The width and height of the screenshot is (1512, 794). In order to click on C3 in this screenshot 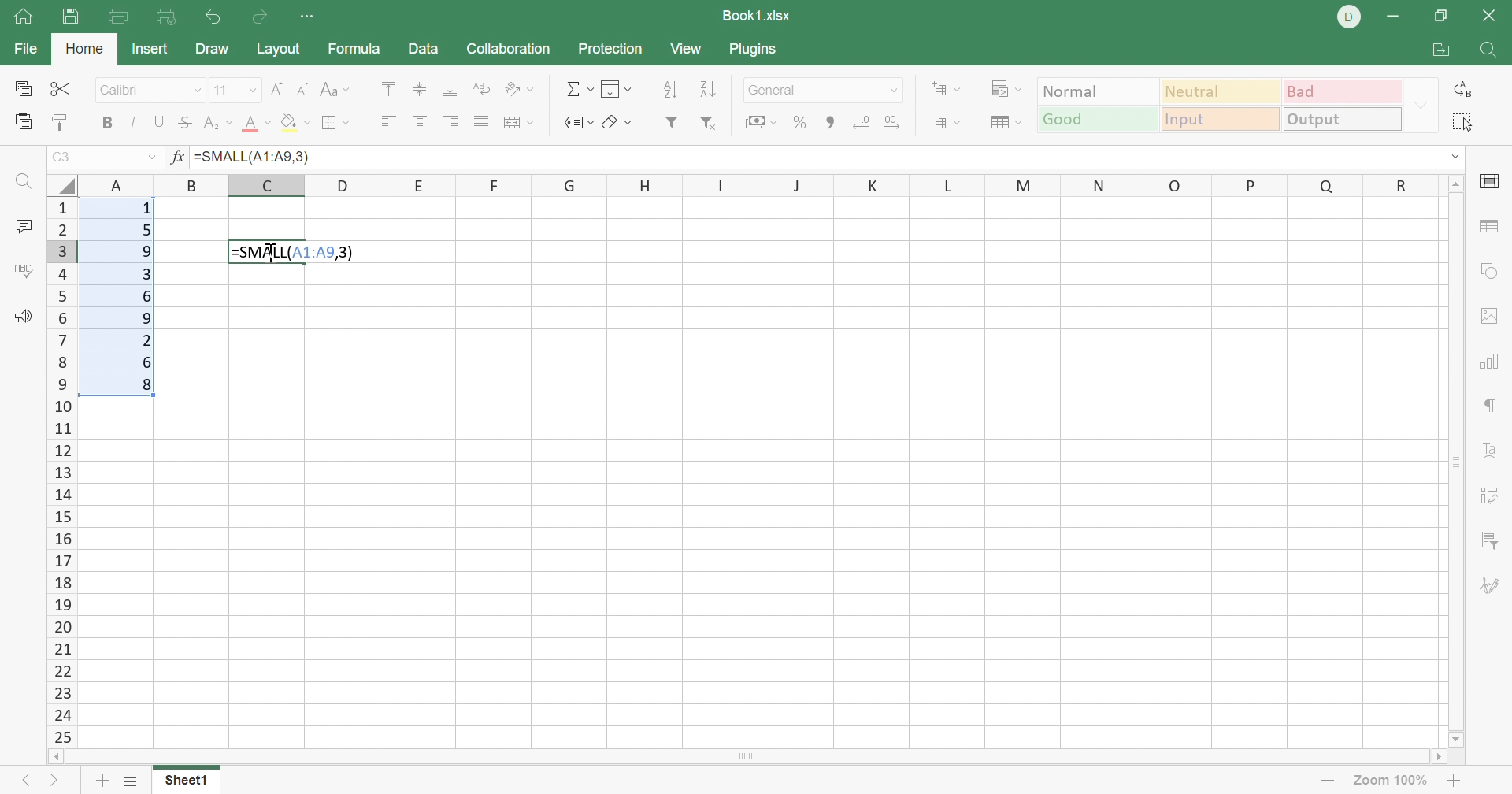, I will do `click(65, 158)`.